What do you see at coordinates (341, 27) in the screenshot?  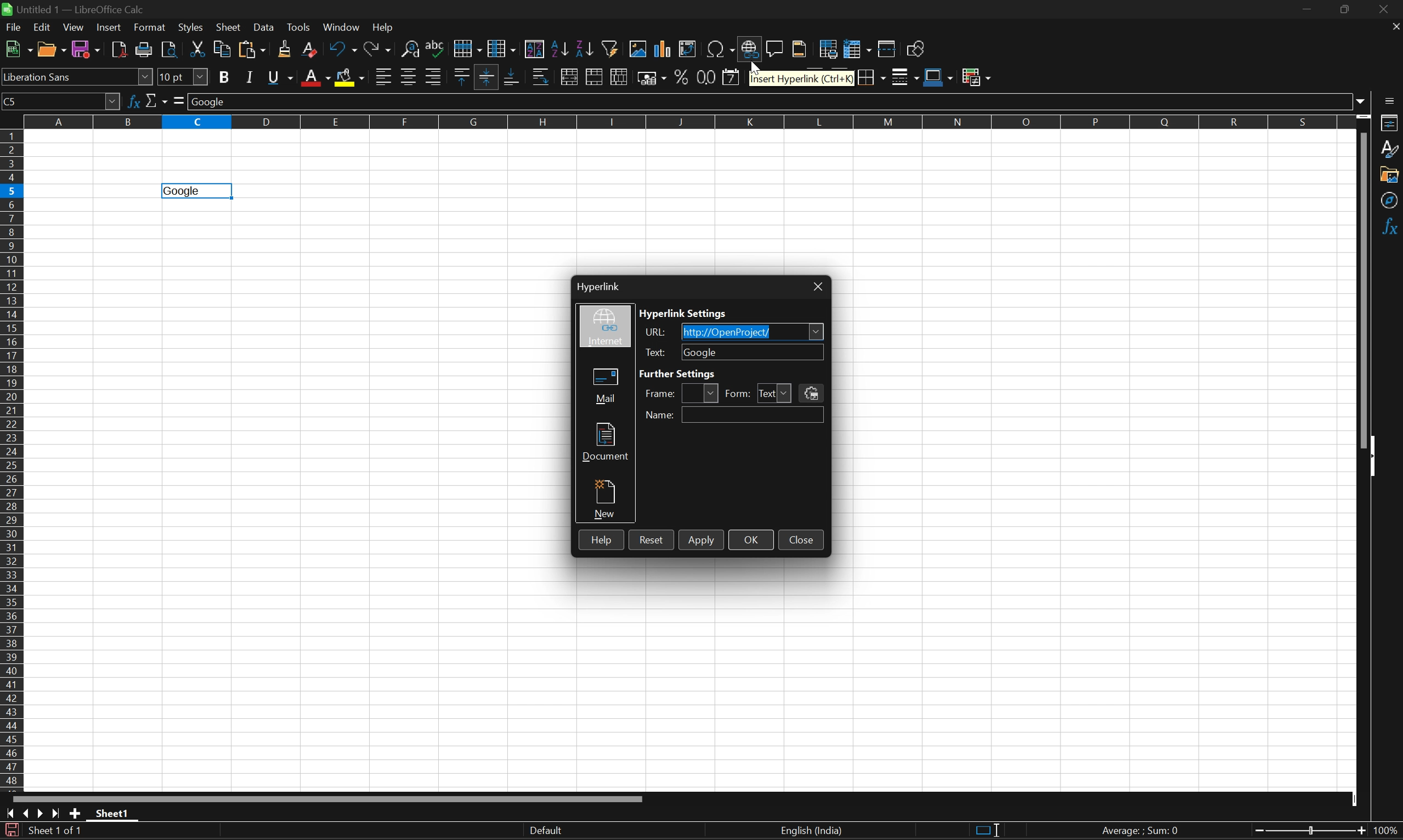 I see `Windows` at bounding box center [341, 27].